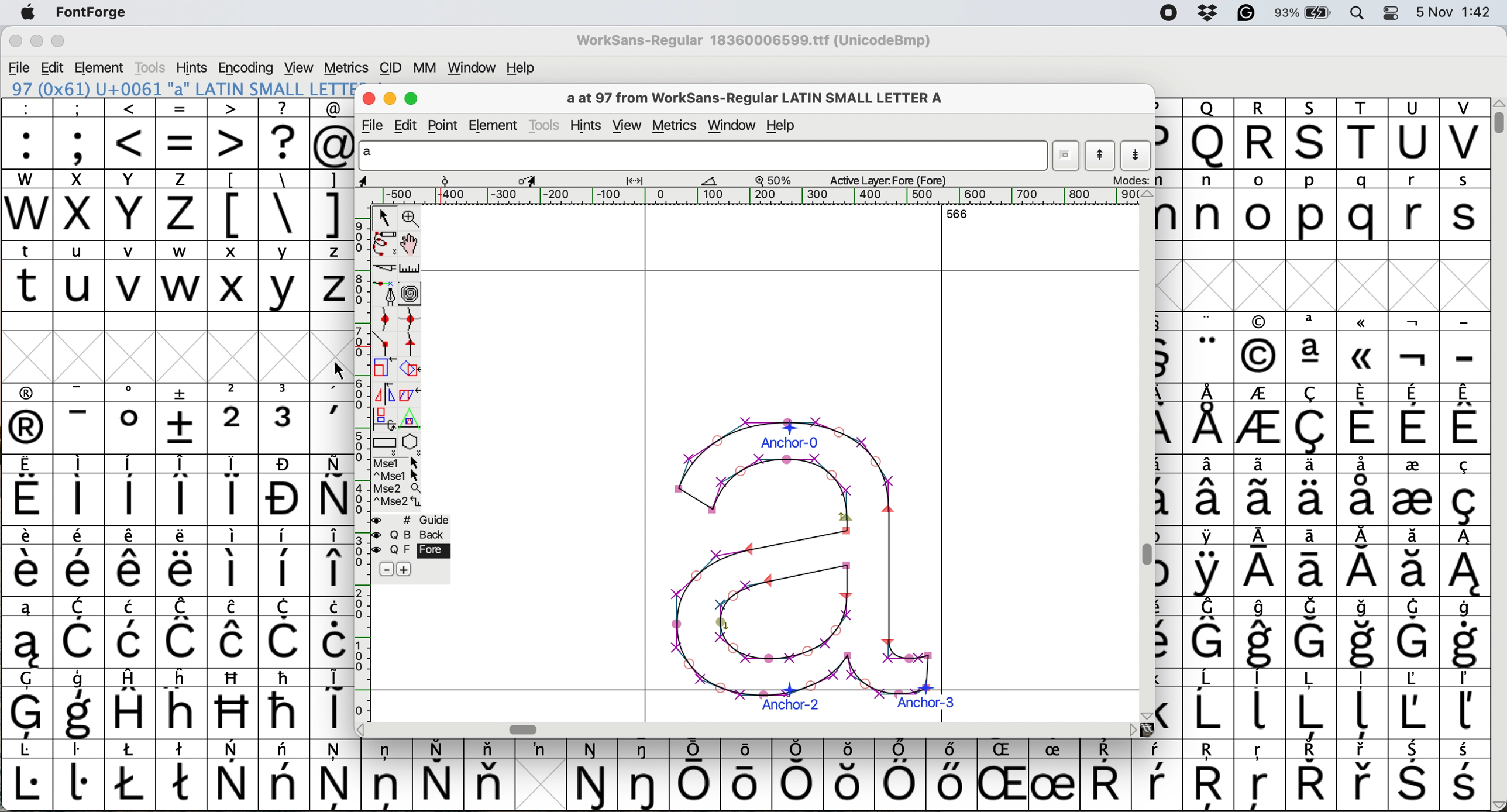 Image resolution: width=1507 pixels, height=812 pixels. I want to click on cid, so click(389, 68).